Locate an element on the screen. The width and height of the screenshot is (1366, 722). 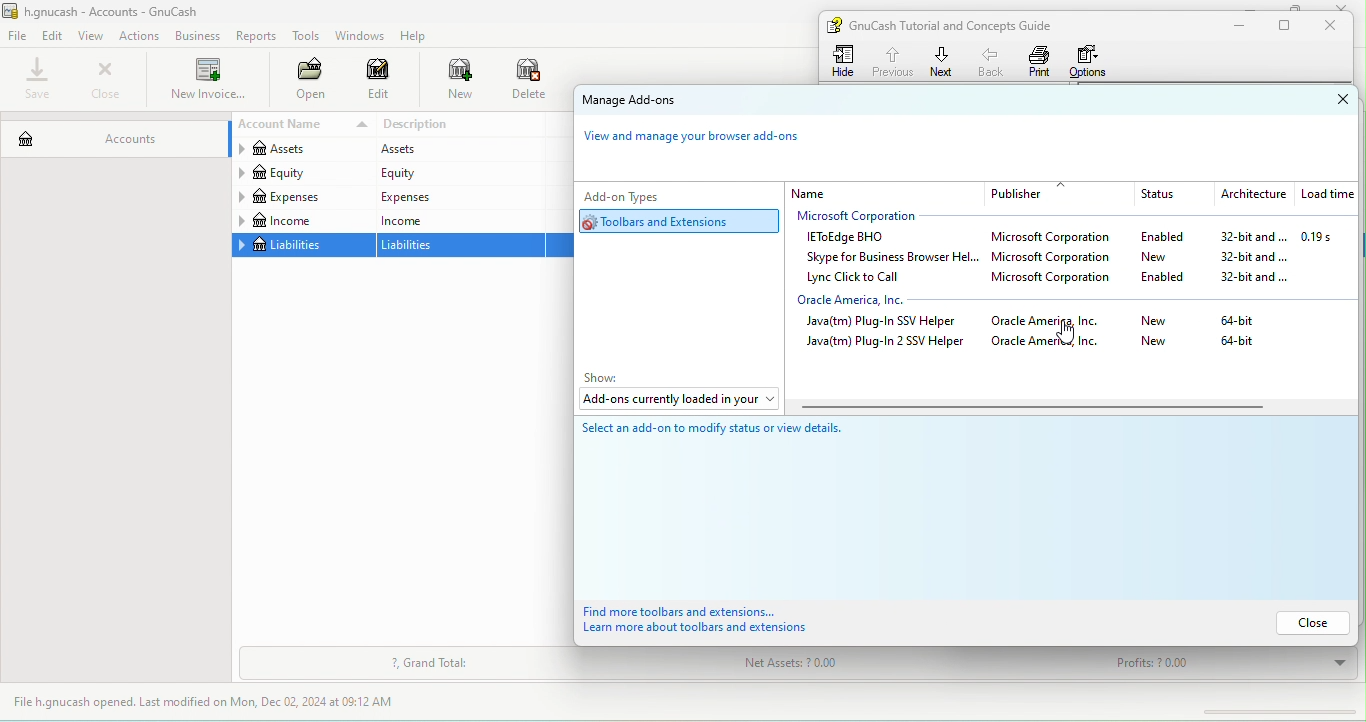
cursor movement is located at coordinates (1065, 334).